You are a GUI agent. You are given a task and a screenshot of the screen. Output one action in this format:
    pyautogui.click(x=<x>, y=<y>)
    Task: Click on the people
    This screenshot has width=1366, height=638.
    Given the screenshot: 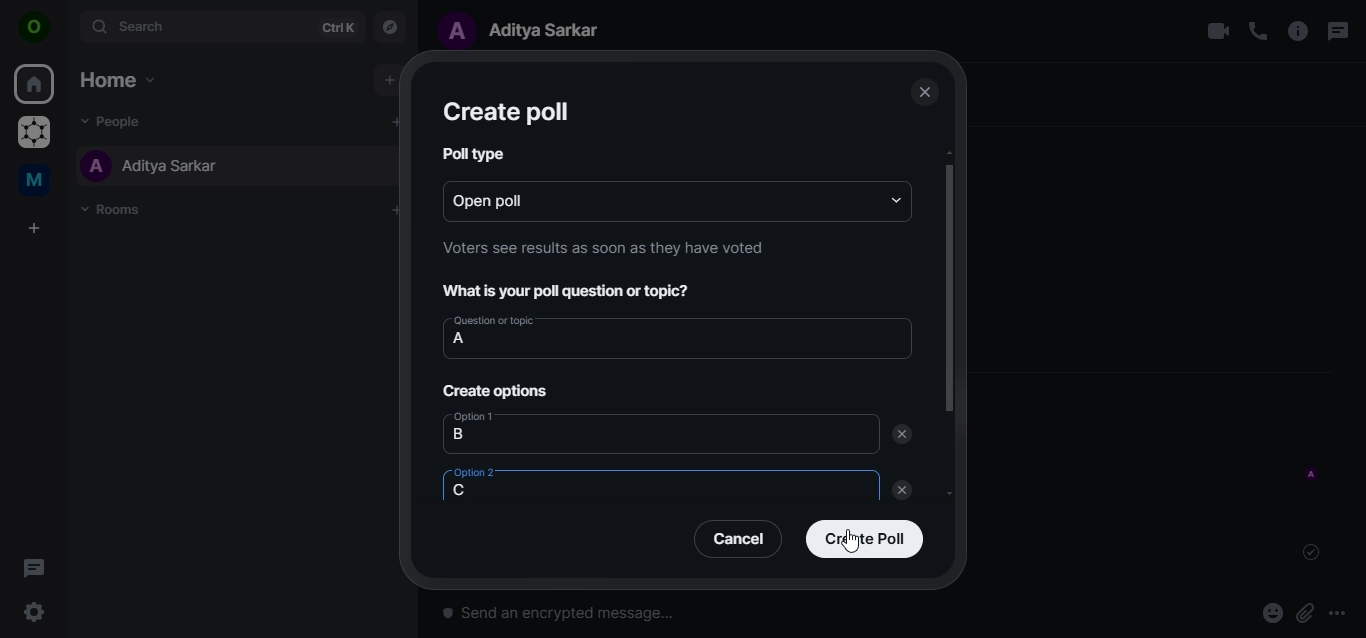 What is the action you would take?
    pyautogui.click(x=118, y=120)
    